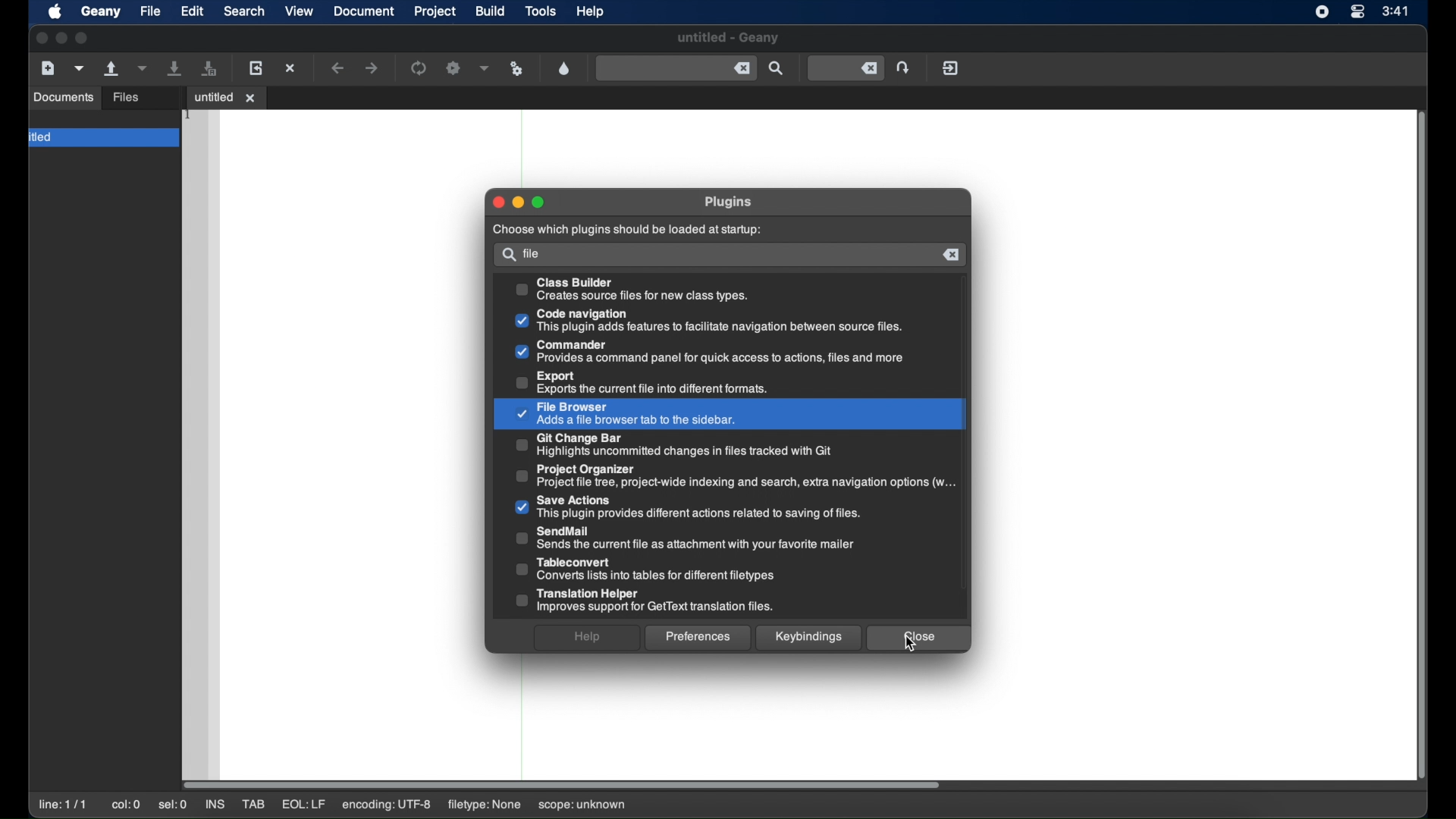 Image resolution: width=1456 pixels, height=819 pixels. I want to click on jump to entered line number, so click(903, 67).